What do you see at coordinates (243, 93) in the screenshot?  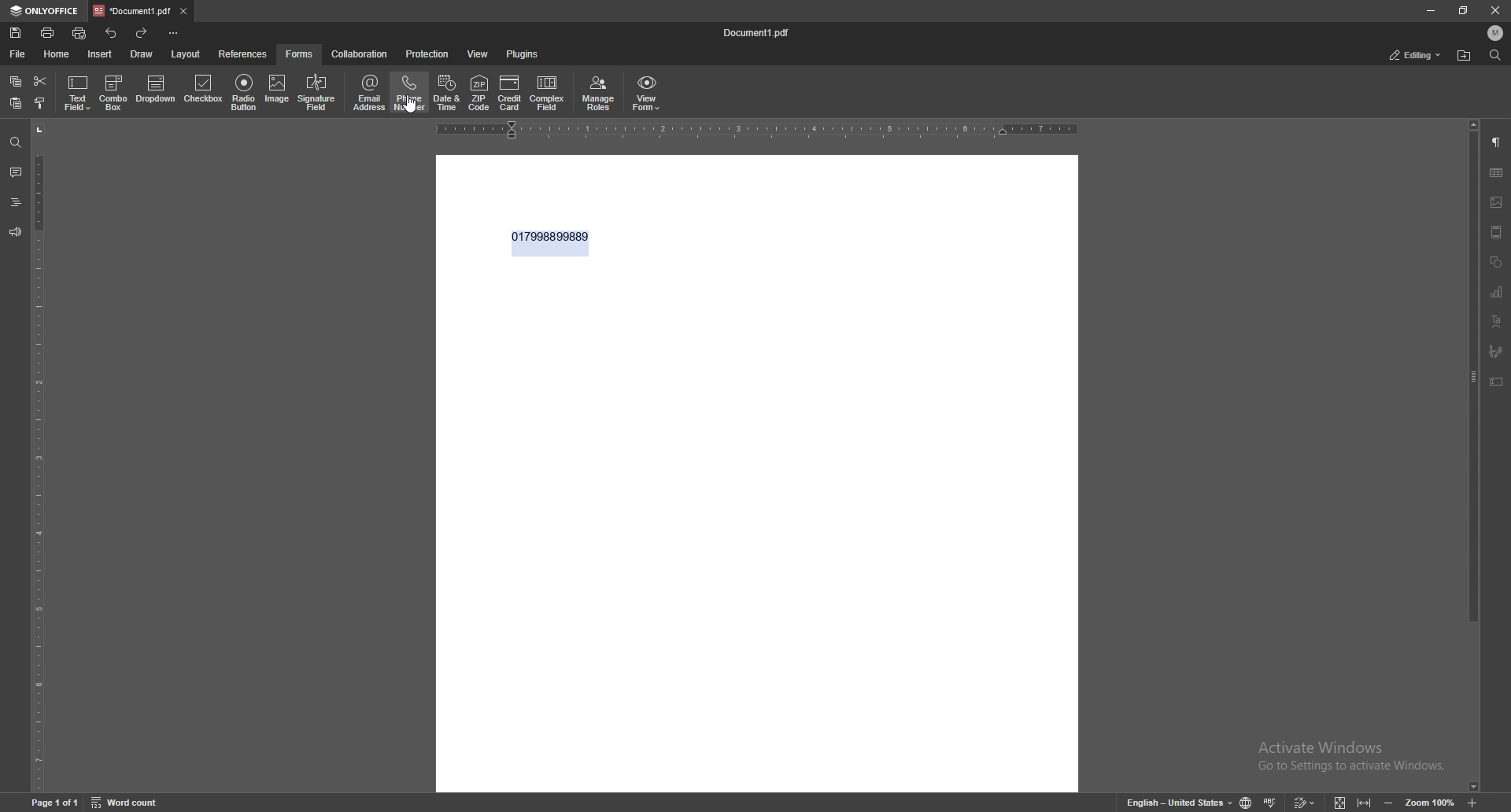 I see `radio button` at bounding box center [243, 93].